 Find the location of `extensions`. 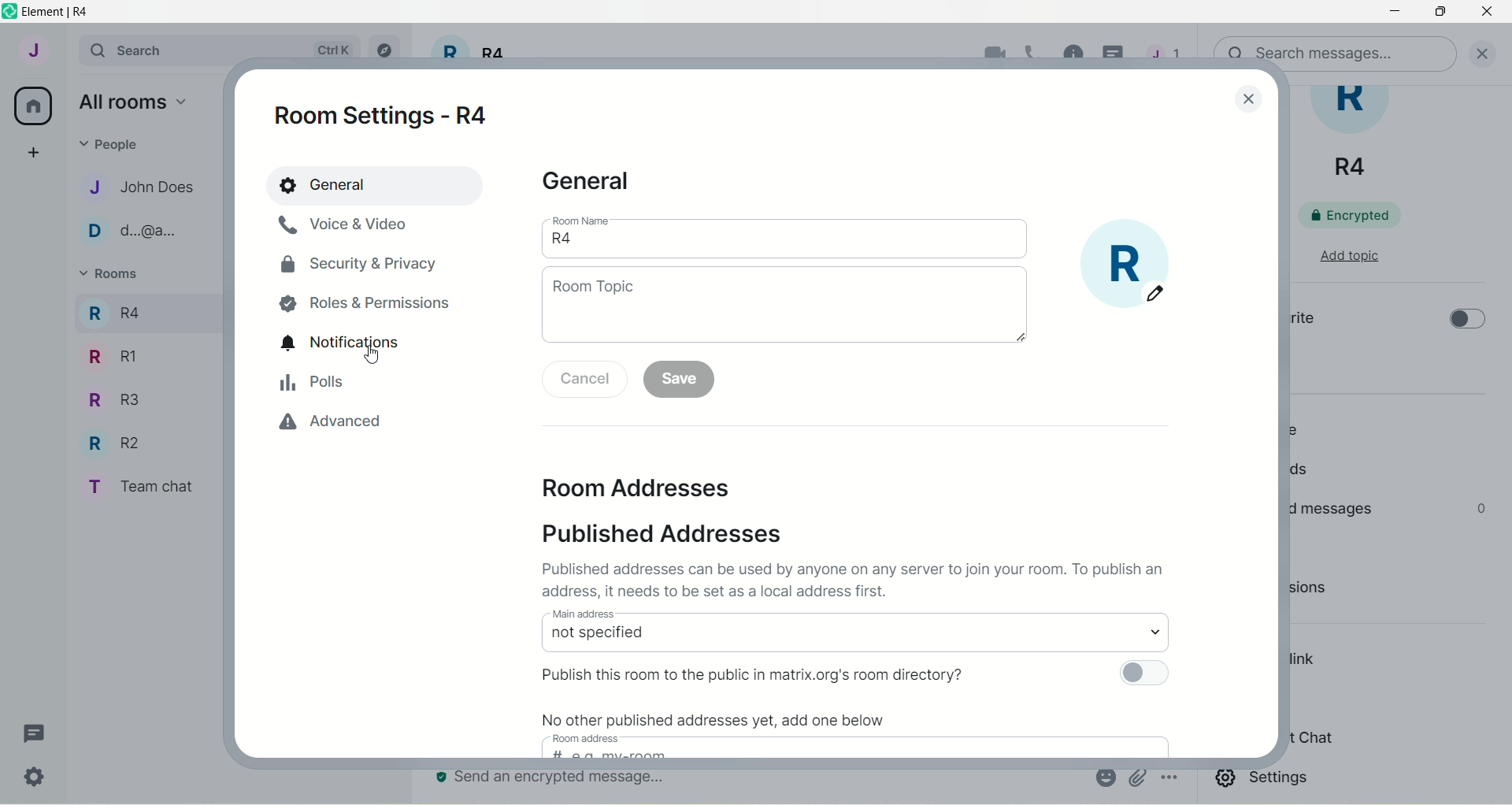

extensions is located at coordinates (1333, 592).